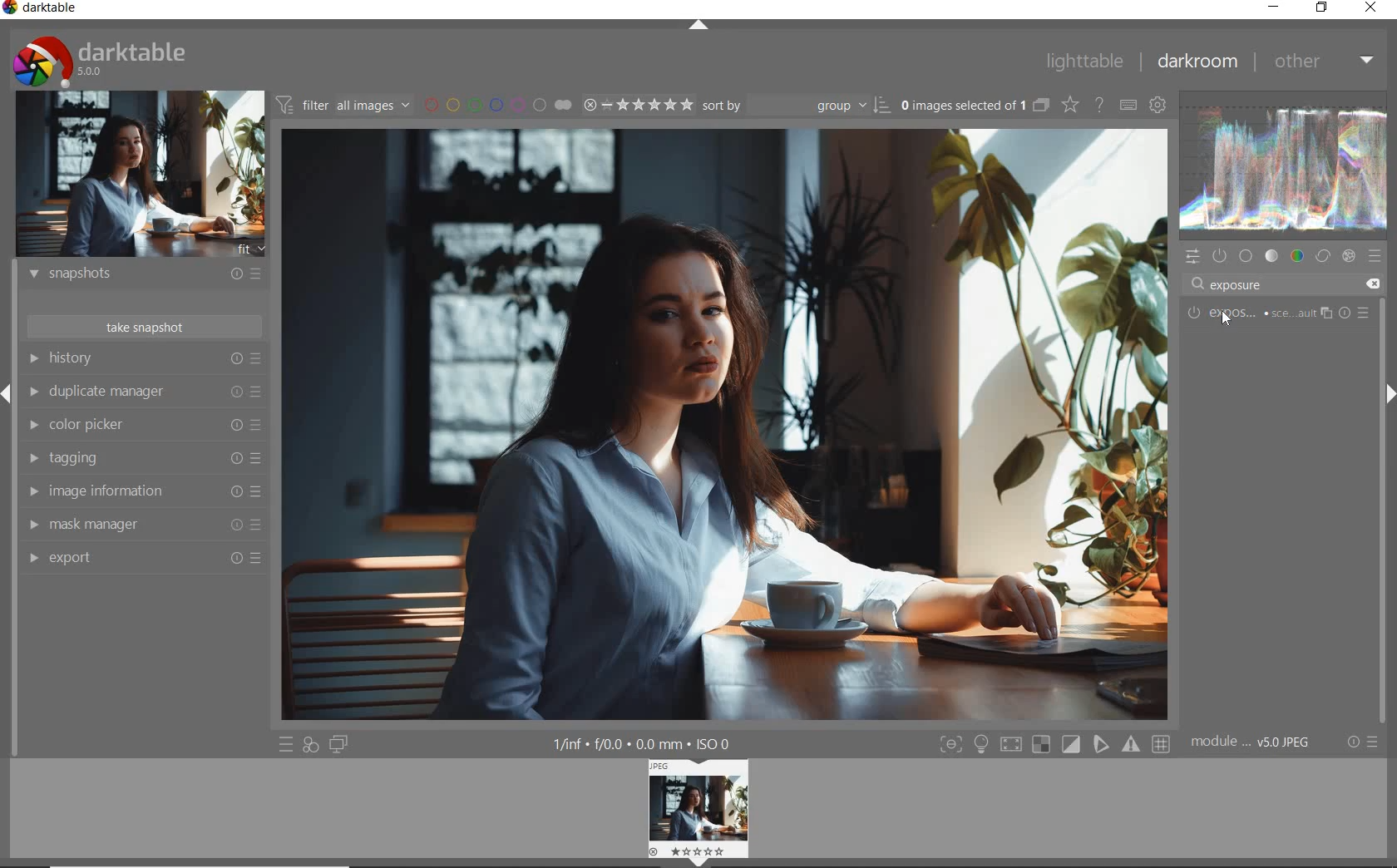 The width and height of the screenshot is (1397, 868). I want to click on cursor, so click(1228, 323).